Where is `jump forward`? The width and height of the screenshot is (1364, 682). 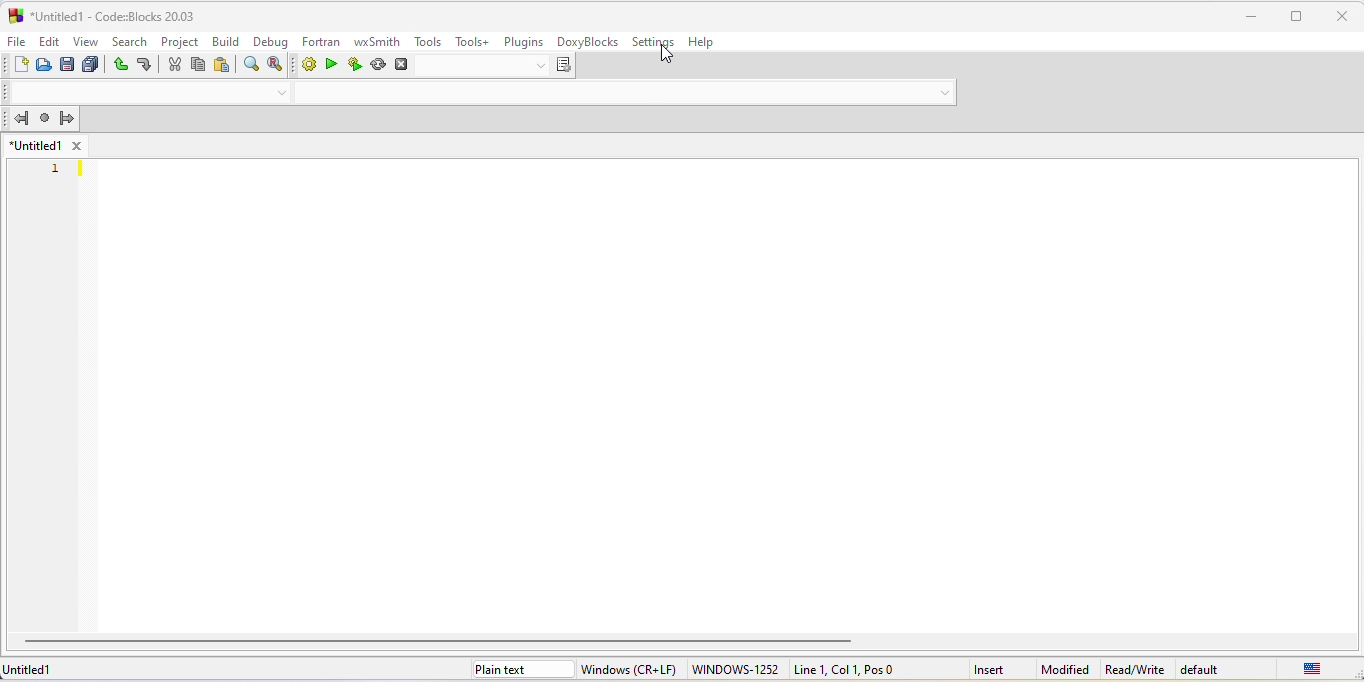 jump forward is located at coordinates (67, 117).